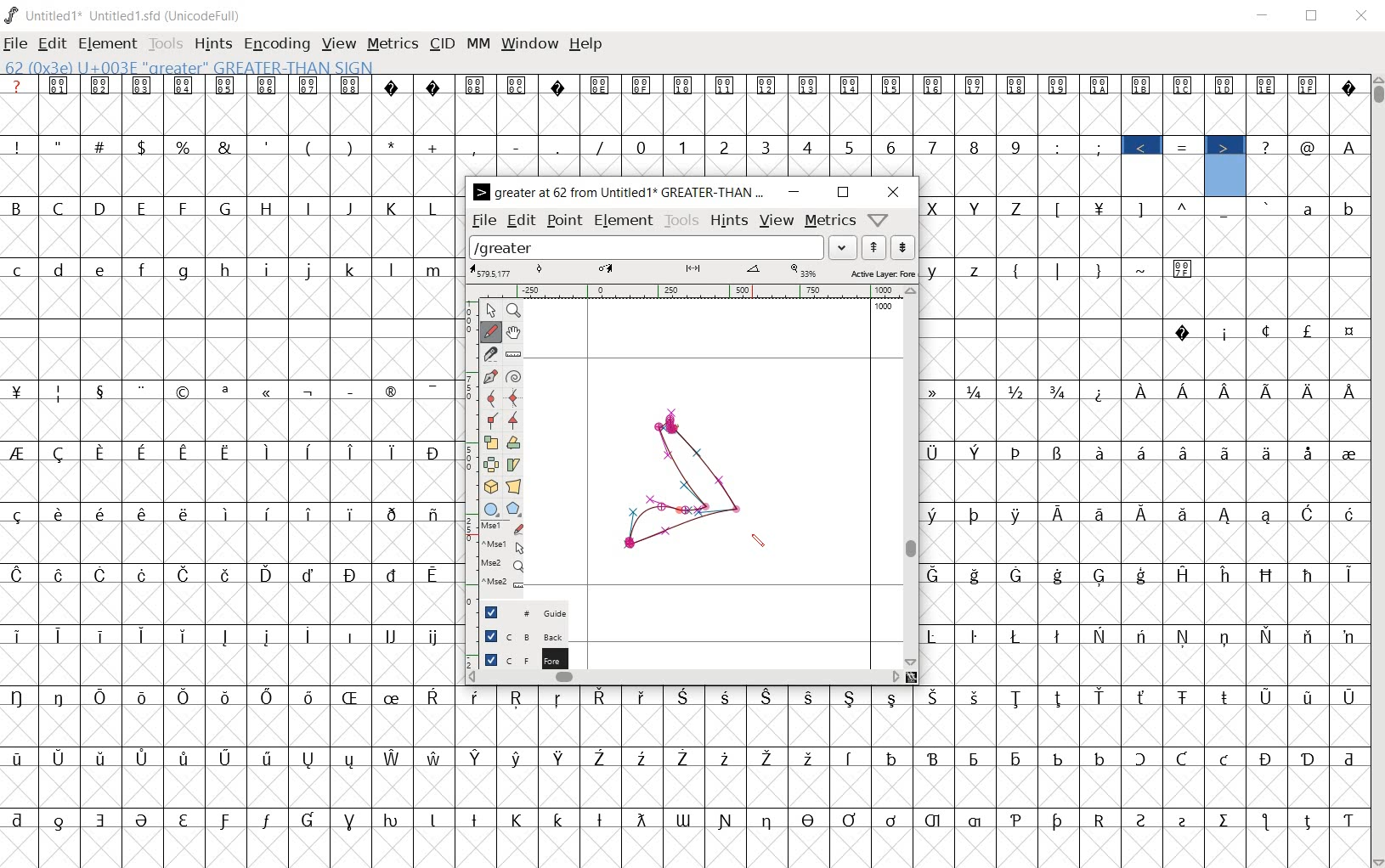 Image resolution: width=1385 pixels, height=868 pixels. Describe the element at coordinates (683, 481) in the screenshot. I see `glyph for a closed angle bracket creation` at that location.